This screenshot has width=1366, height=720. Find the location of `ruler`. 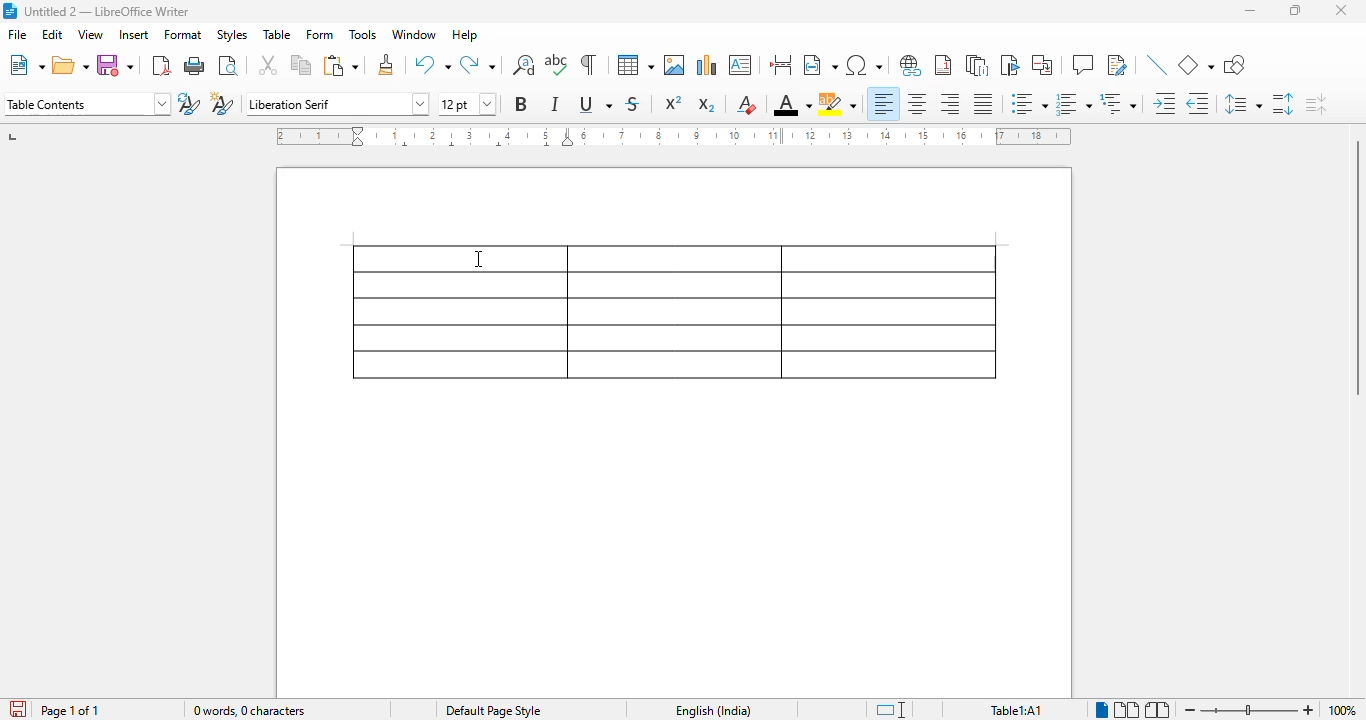

ruler is located at coordinates (673, 136).